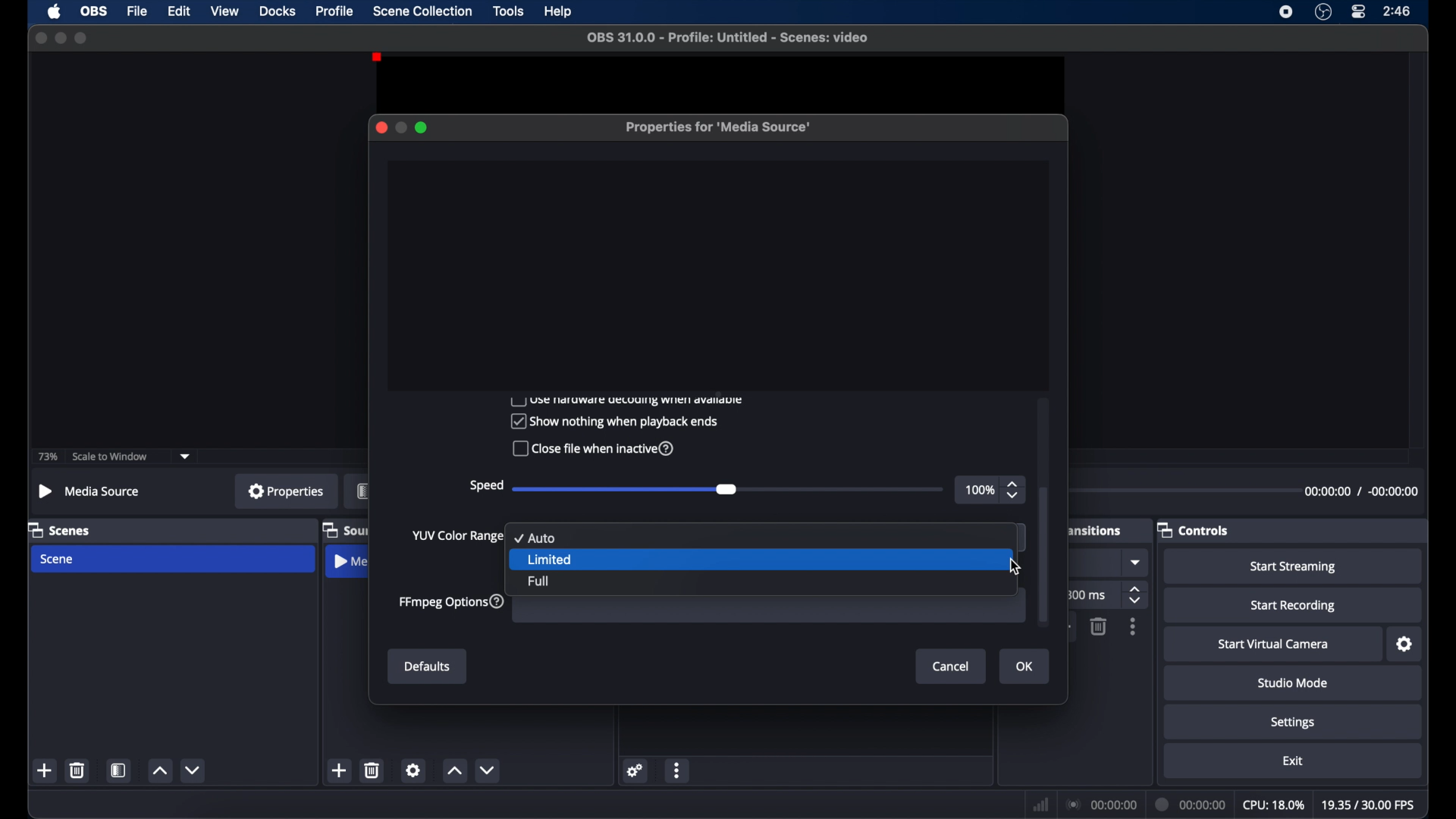 This screenshot has width=1456, height=819. I want to click on dropdown, so click(1137, 563).